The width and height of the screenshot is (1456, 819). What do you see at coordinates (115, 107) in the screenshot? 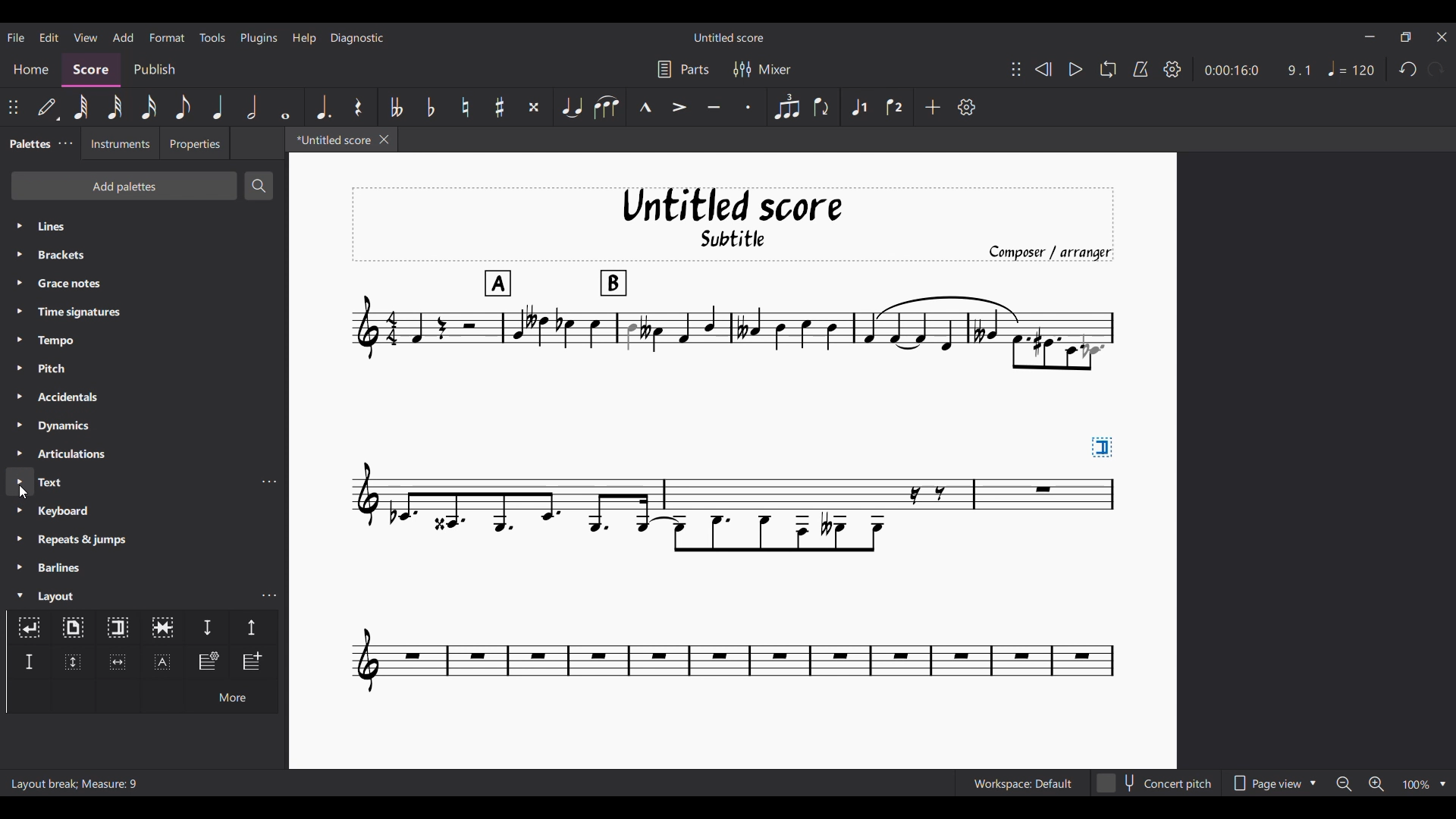
I see `32nd note` at bounding box center [115, 107].